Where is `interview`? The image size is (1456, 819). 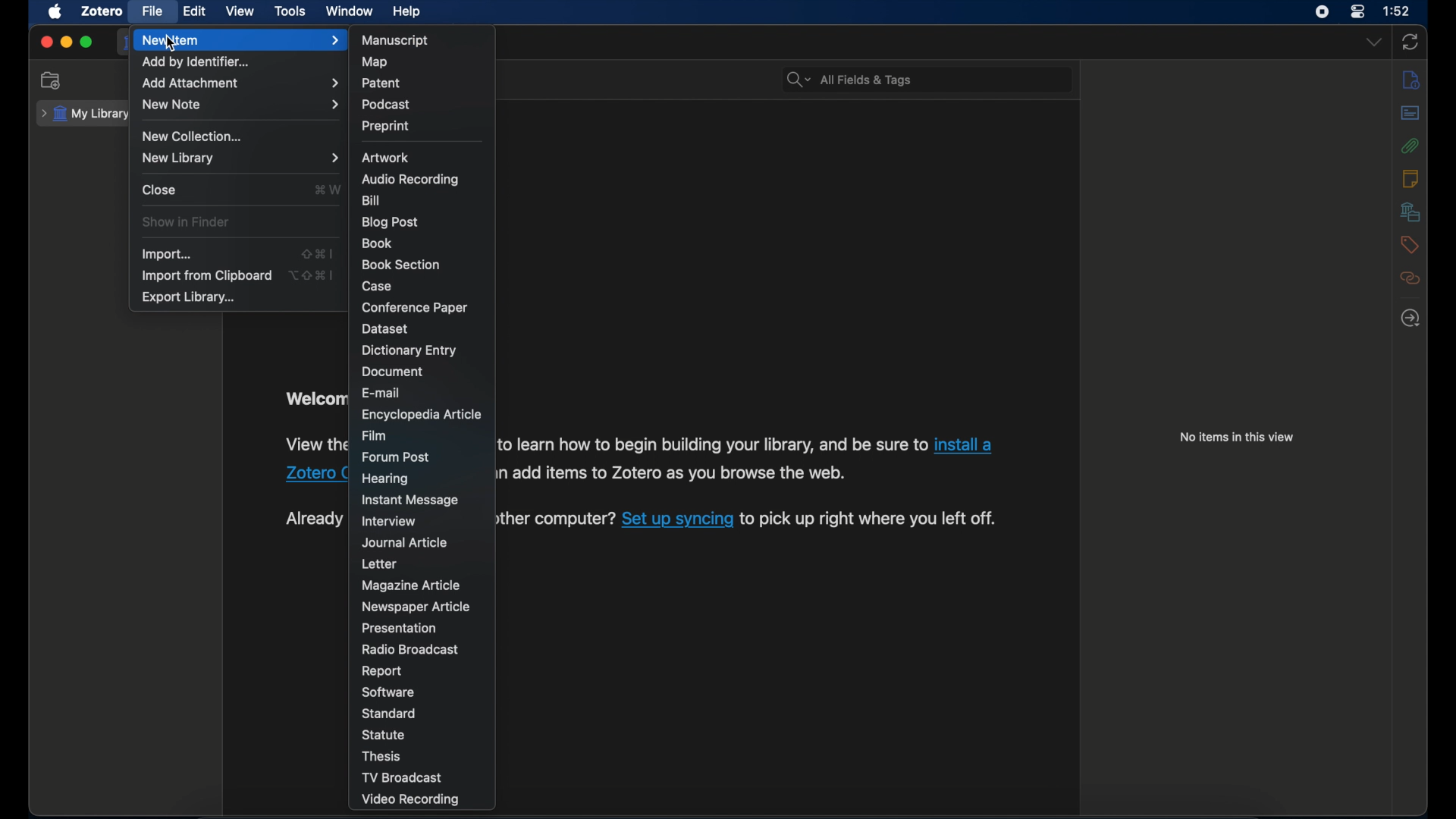
interview is located at coordinates (391, 522).